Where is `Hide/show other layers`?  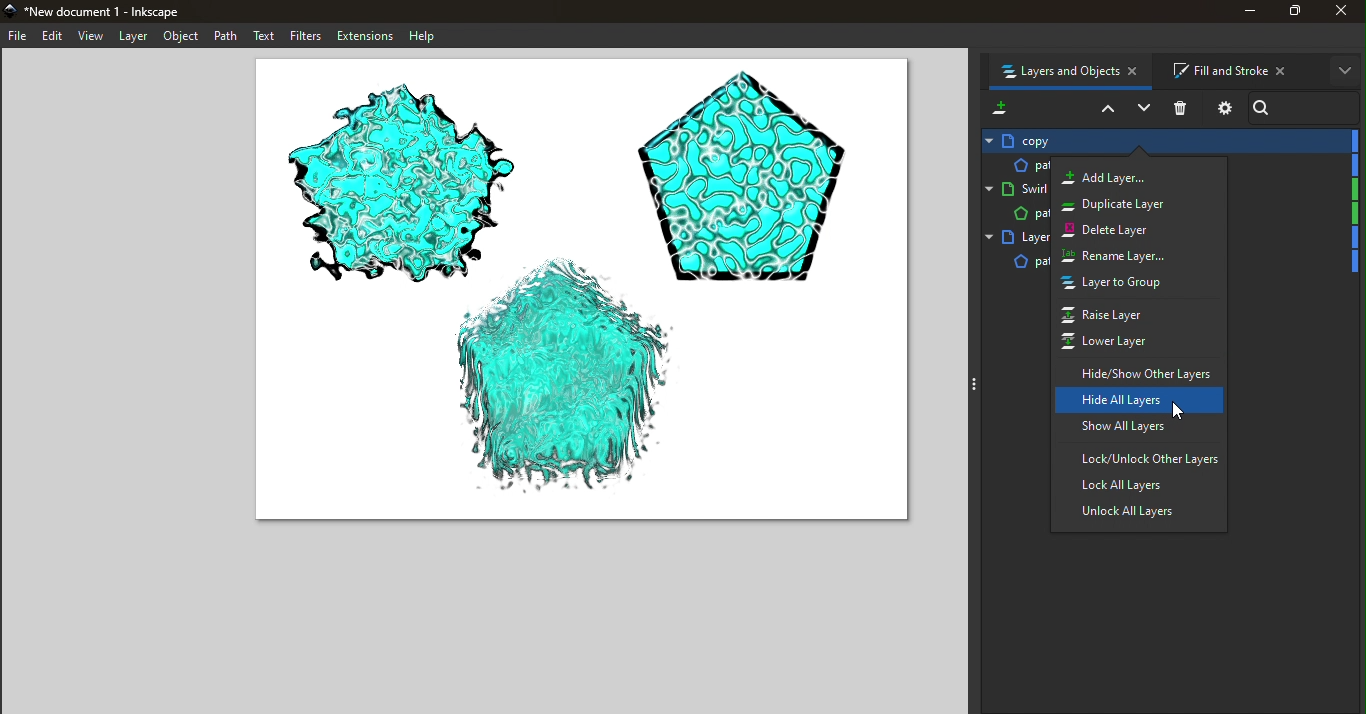 Hide/show other layers is located at coordinates (1138, 370).